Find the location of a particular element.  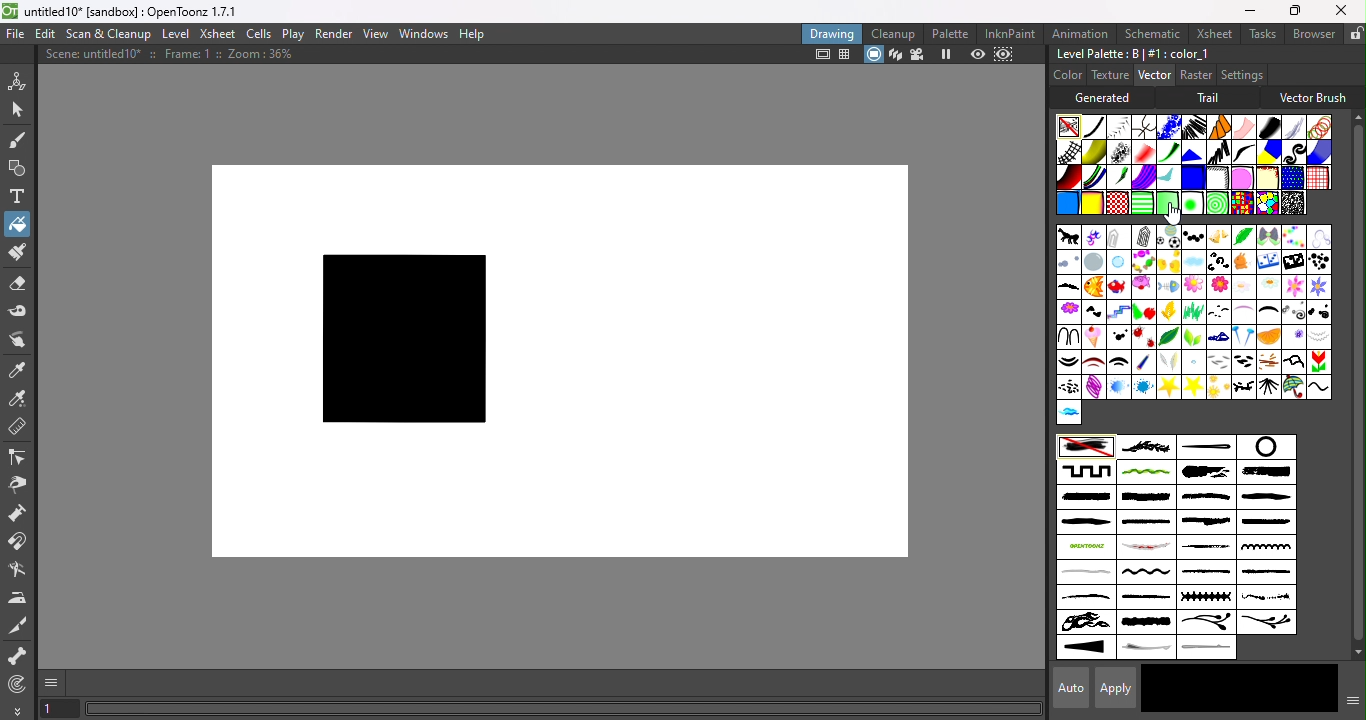

Skeletal tool is located at coordinates (18, 657).